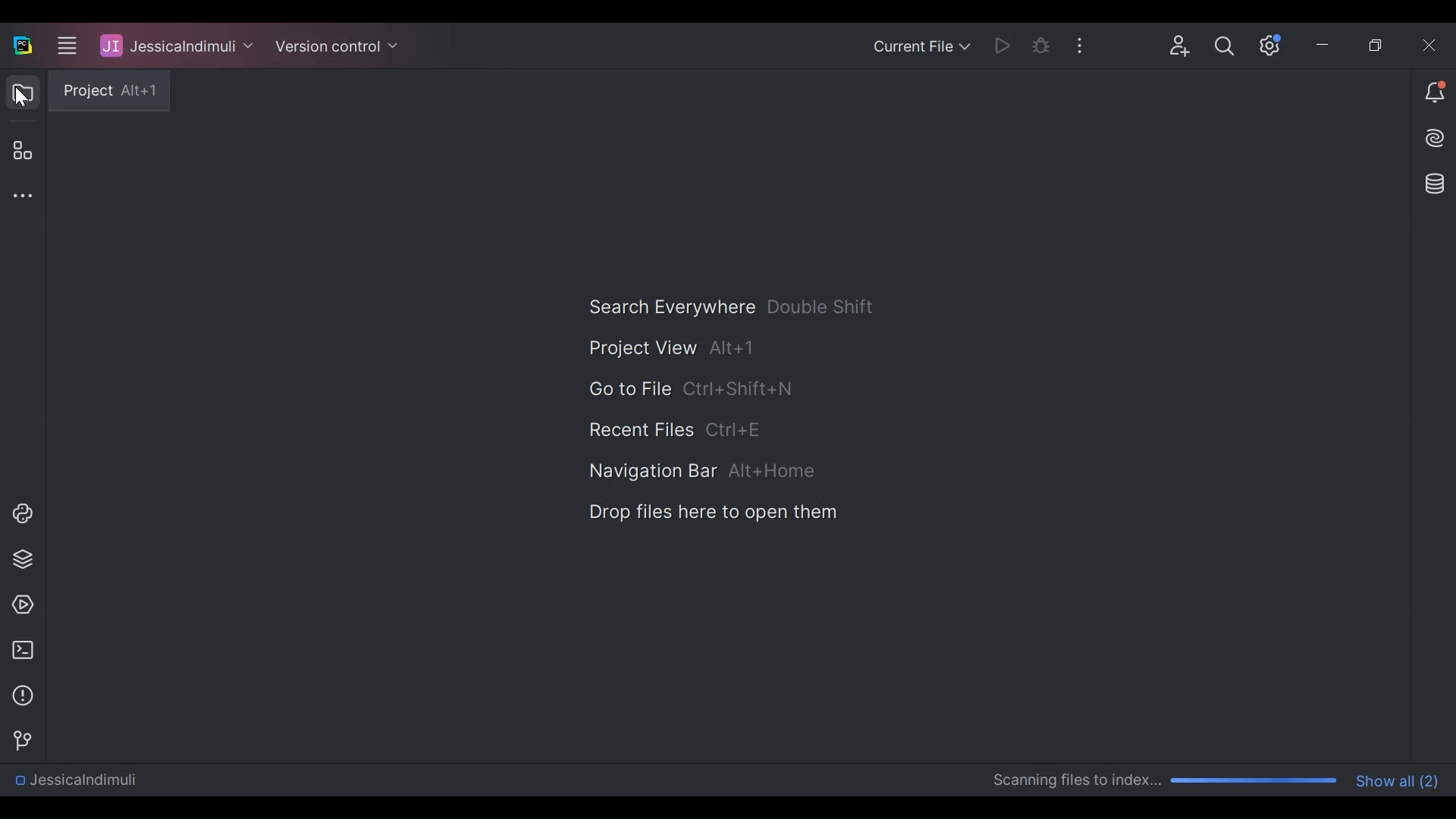 The width and height of the screenshot is (1456, 819). I want to click on Current file, so click(924, 45).